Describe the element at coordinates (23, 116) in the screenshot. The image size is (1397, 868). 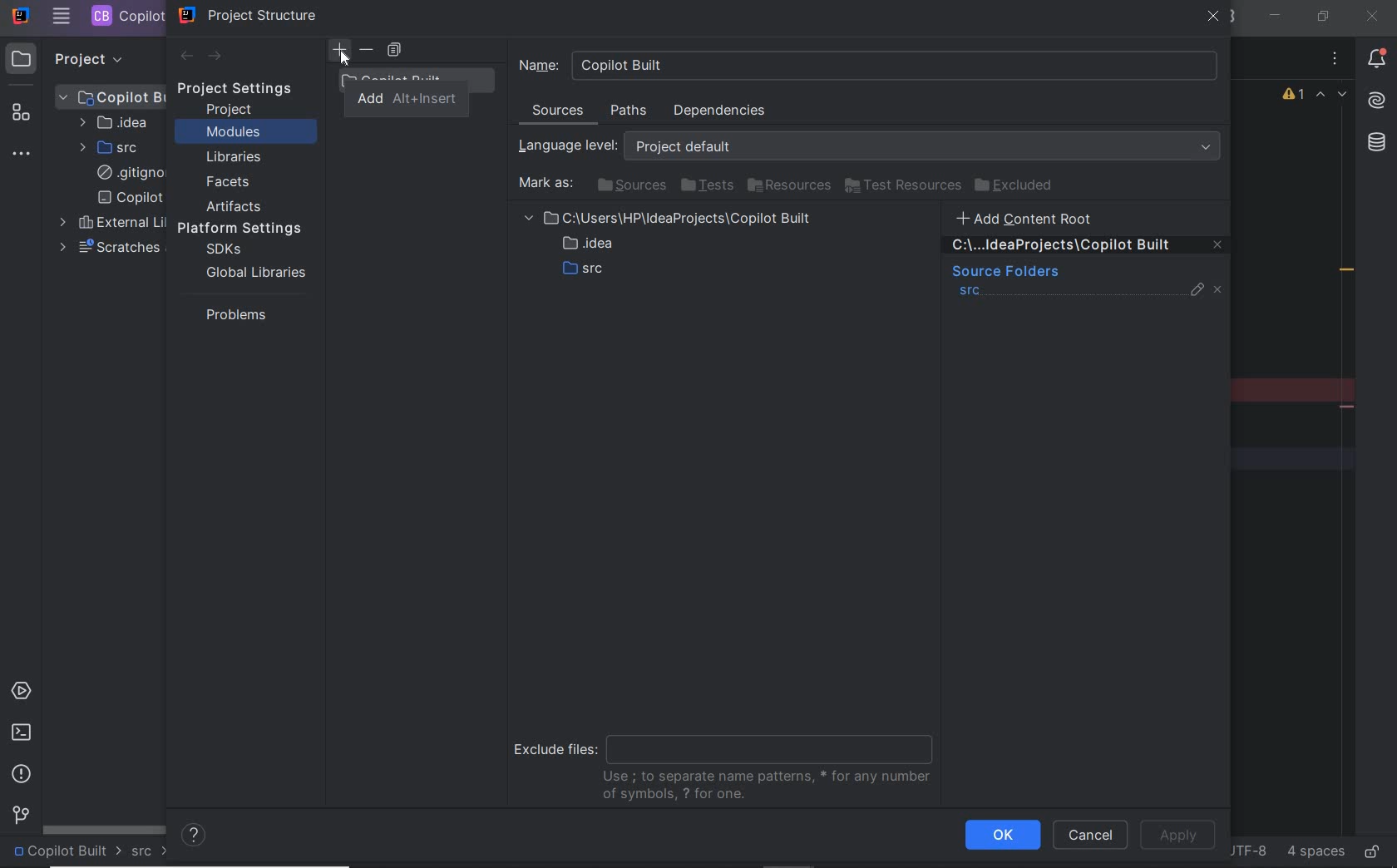
I see `structure` at that location.